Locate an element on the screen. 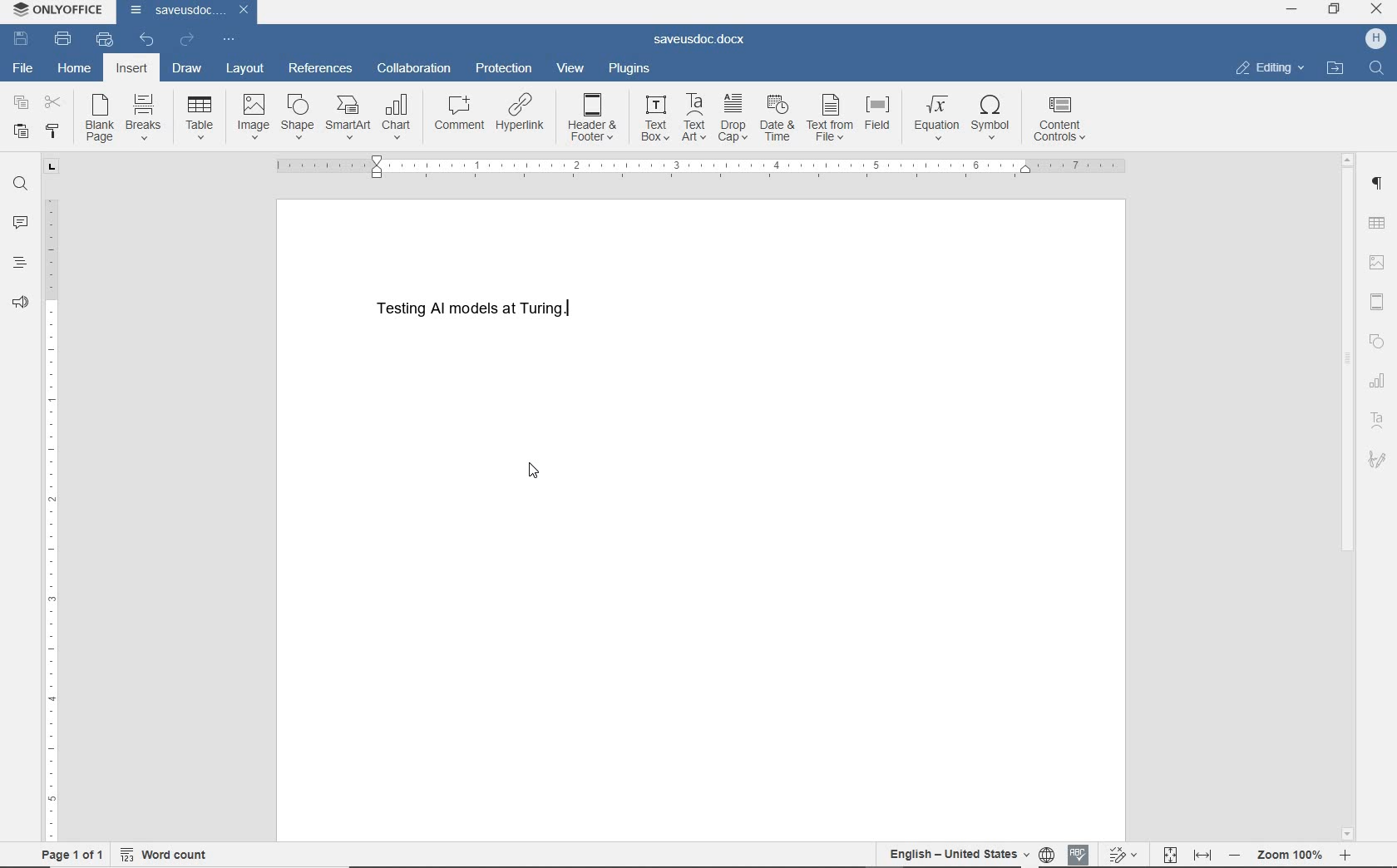  copy is located at coordinates (21, 106).